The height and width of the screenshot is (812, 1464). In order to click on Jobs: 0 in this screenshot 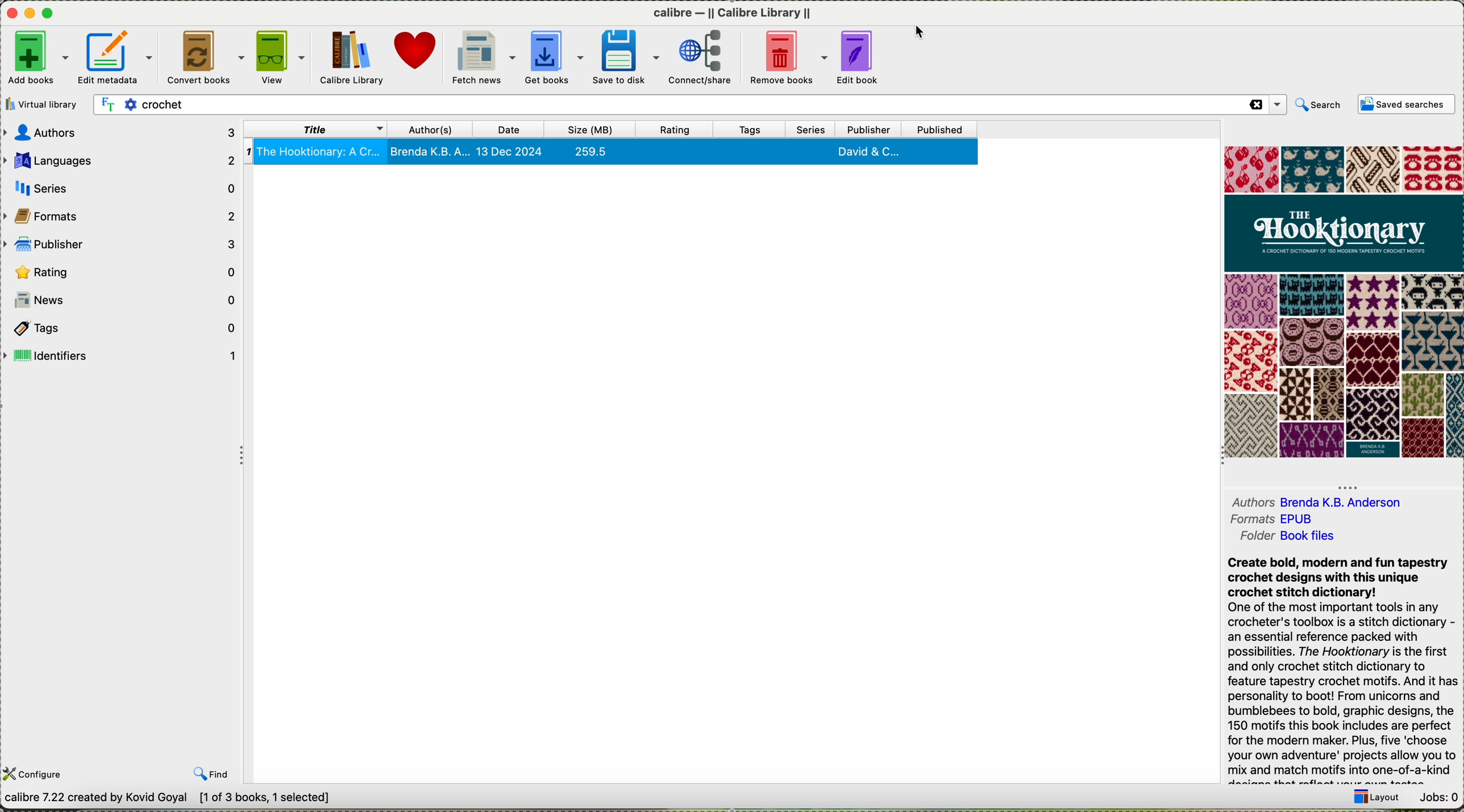, I will do `click(1437, 797)`.